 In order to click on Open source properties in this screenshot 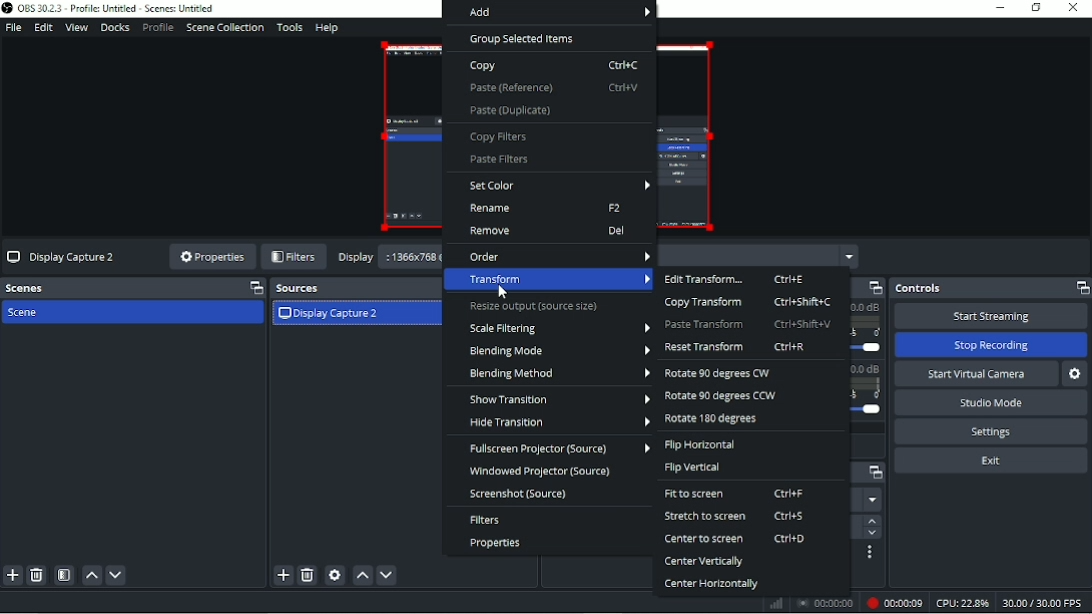, I will do `click(335, 575)`.